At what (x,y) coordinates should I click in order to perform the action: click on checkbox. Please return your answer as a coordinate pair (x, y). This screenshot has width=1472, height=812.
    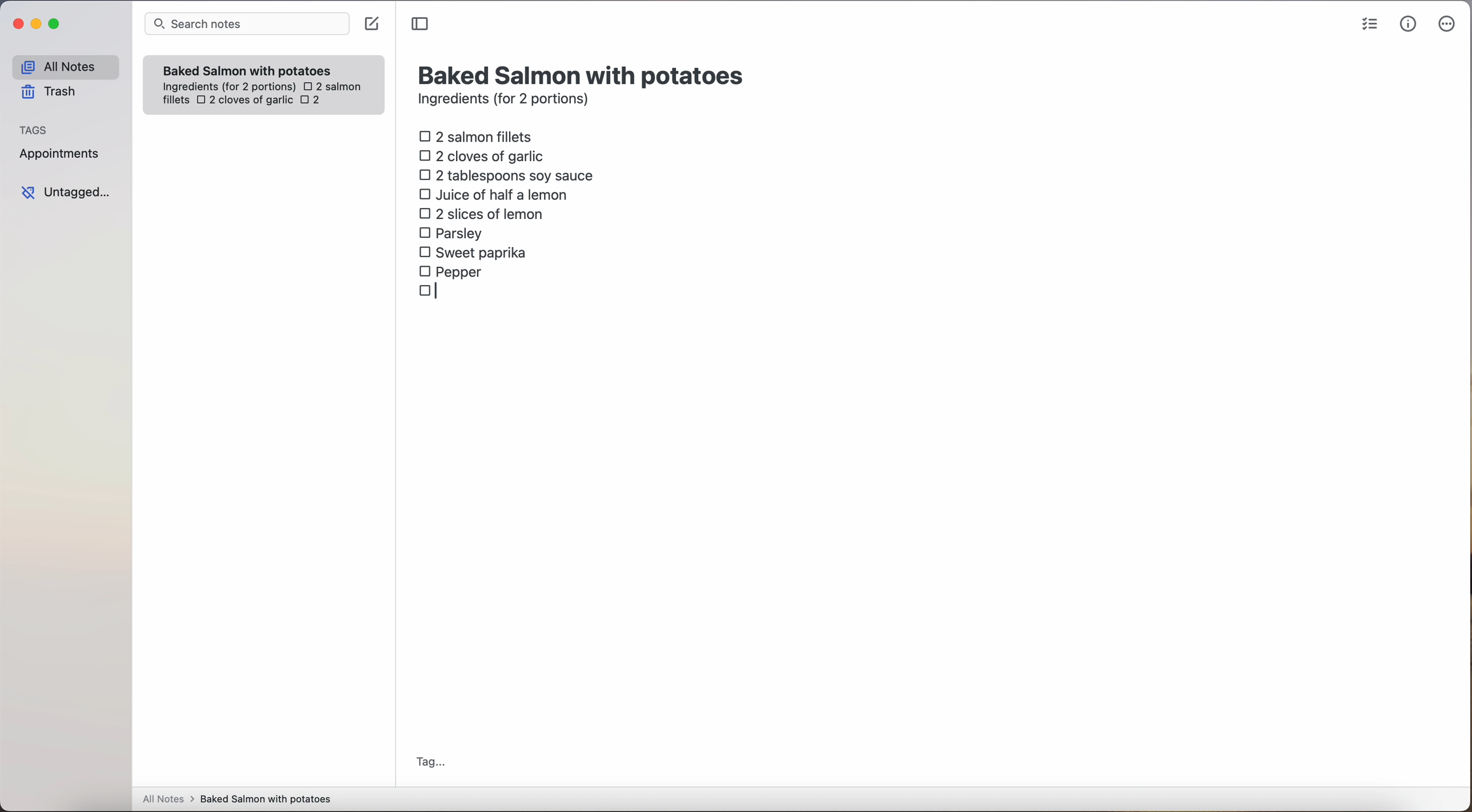
    Looking at the image, I should click on (433, 292).